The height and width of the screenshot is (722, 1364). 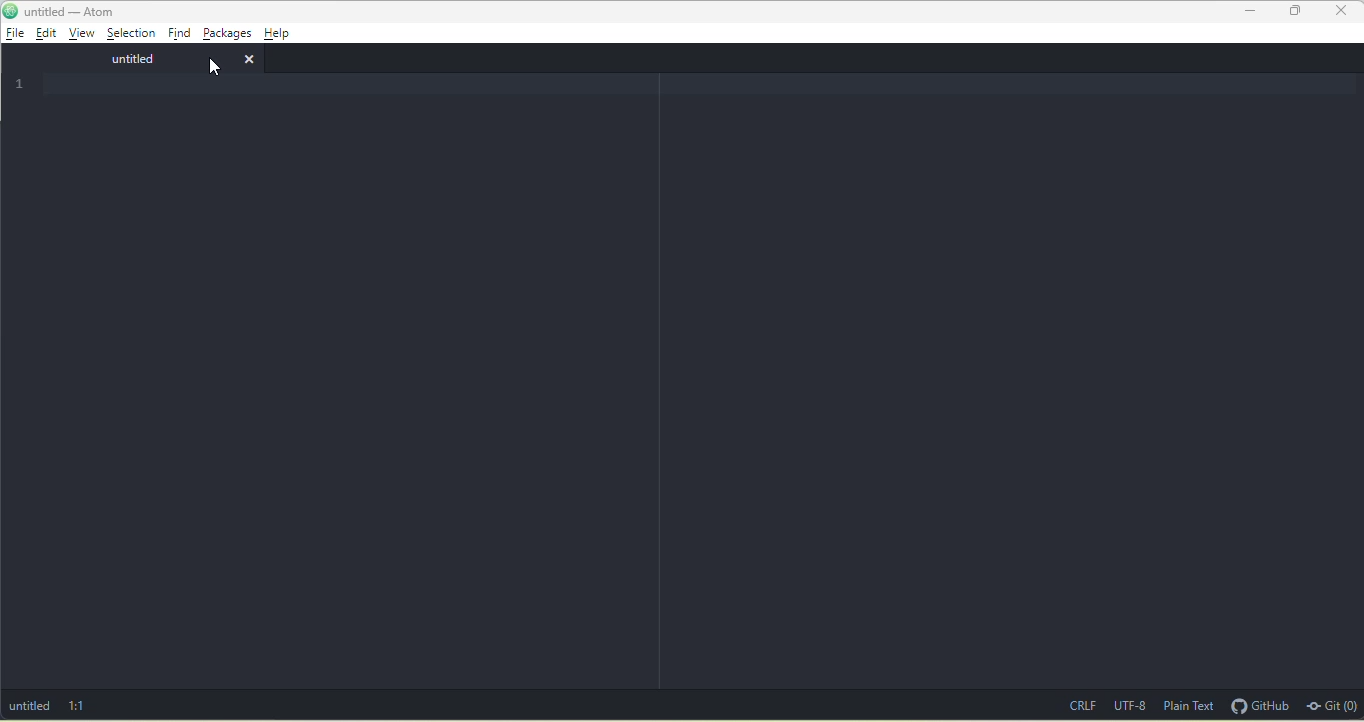 I want to click on 1:1, so click(x=82, y=705).